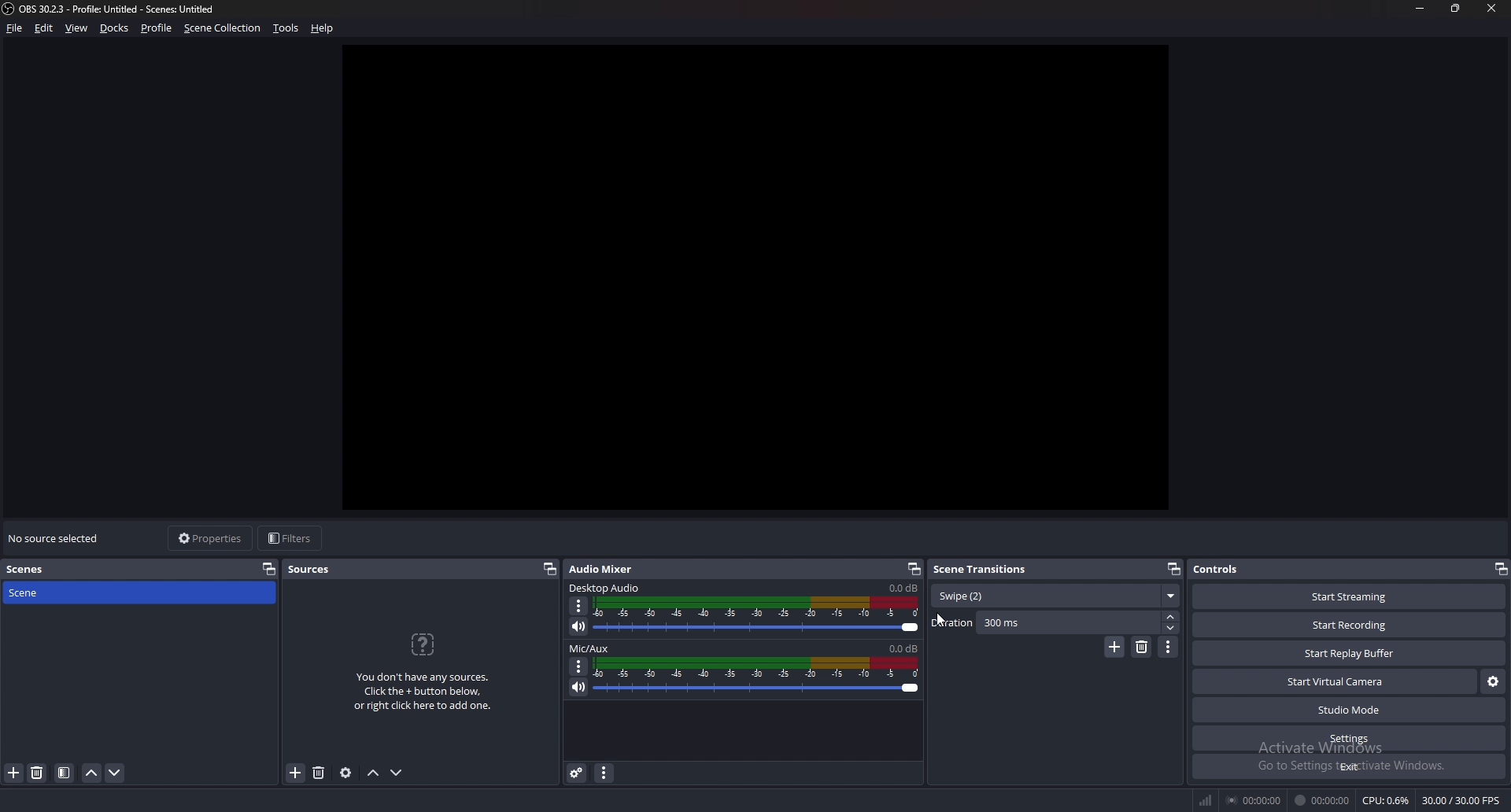 This screenshot has width=1511, height=812. Describe the element at coordinates (940, 622) in the screenshot. I see `cursor` at that location.